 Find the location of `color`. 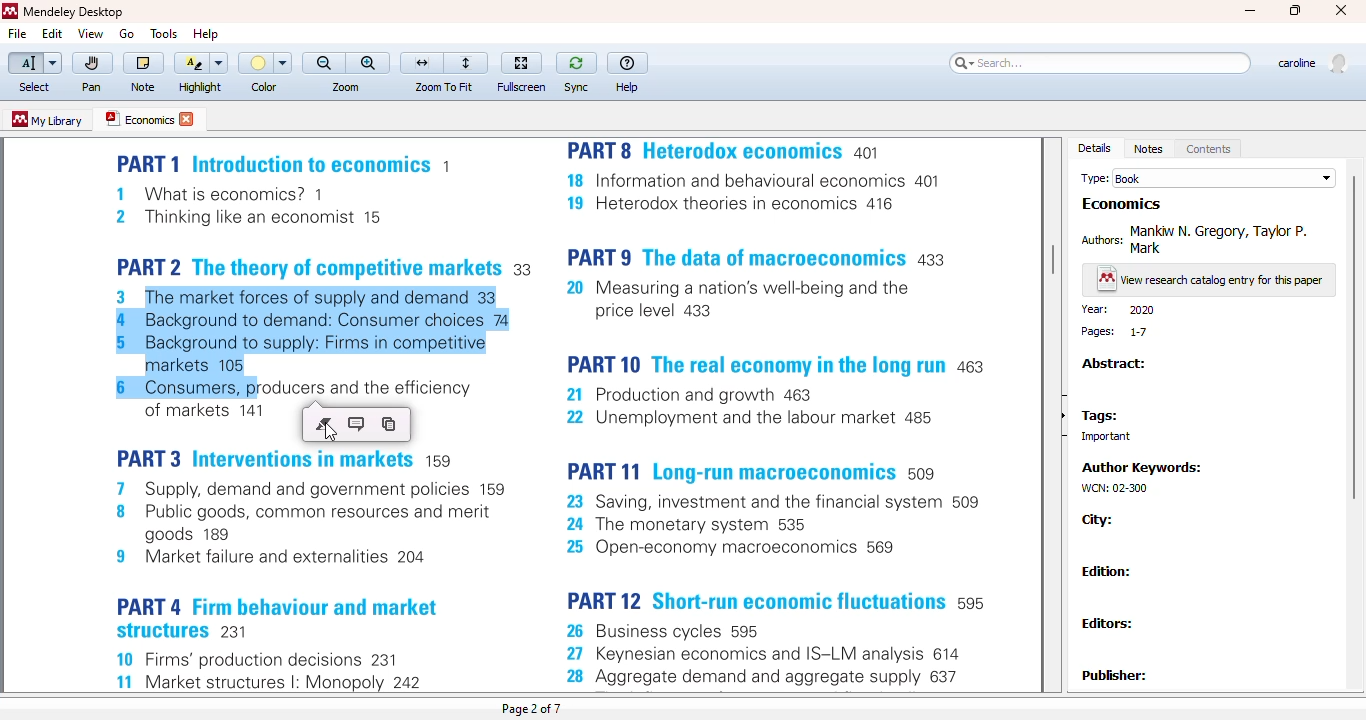

color is located at coordinates (265, 63).